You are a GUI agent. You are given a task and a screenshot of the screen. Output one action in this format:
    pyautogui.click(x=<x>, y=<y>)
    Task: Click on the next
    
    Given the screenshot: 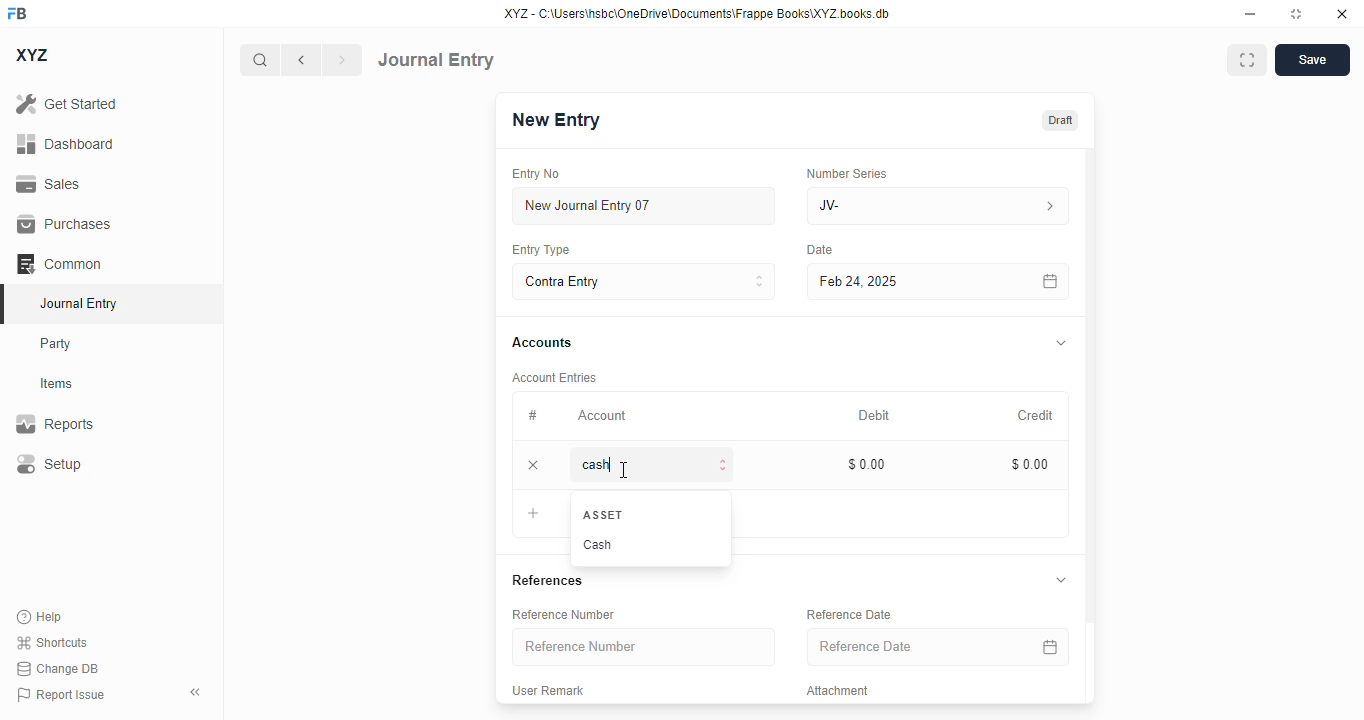 What is the action you would take?
    pyautogui.click(x=343, y=60)
    